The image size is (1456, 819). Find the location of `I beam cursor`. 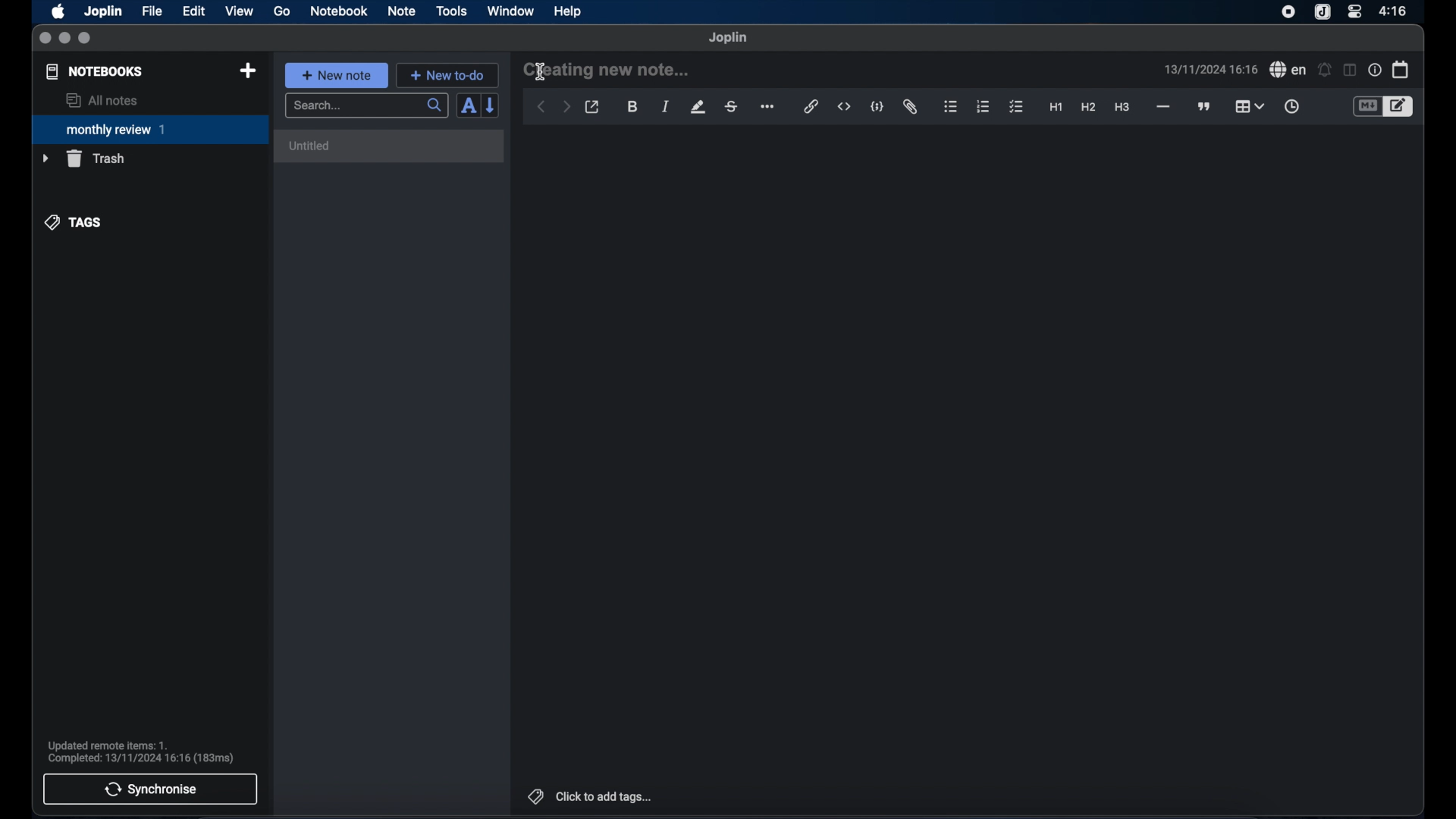

I beam cursor is located at coordinates (541, 71).